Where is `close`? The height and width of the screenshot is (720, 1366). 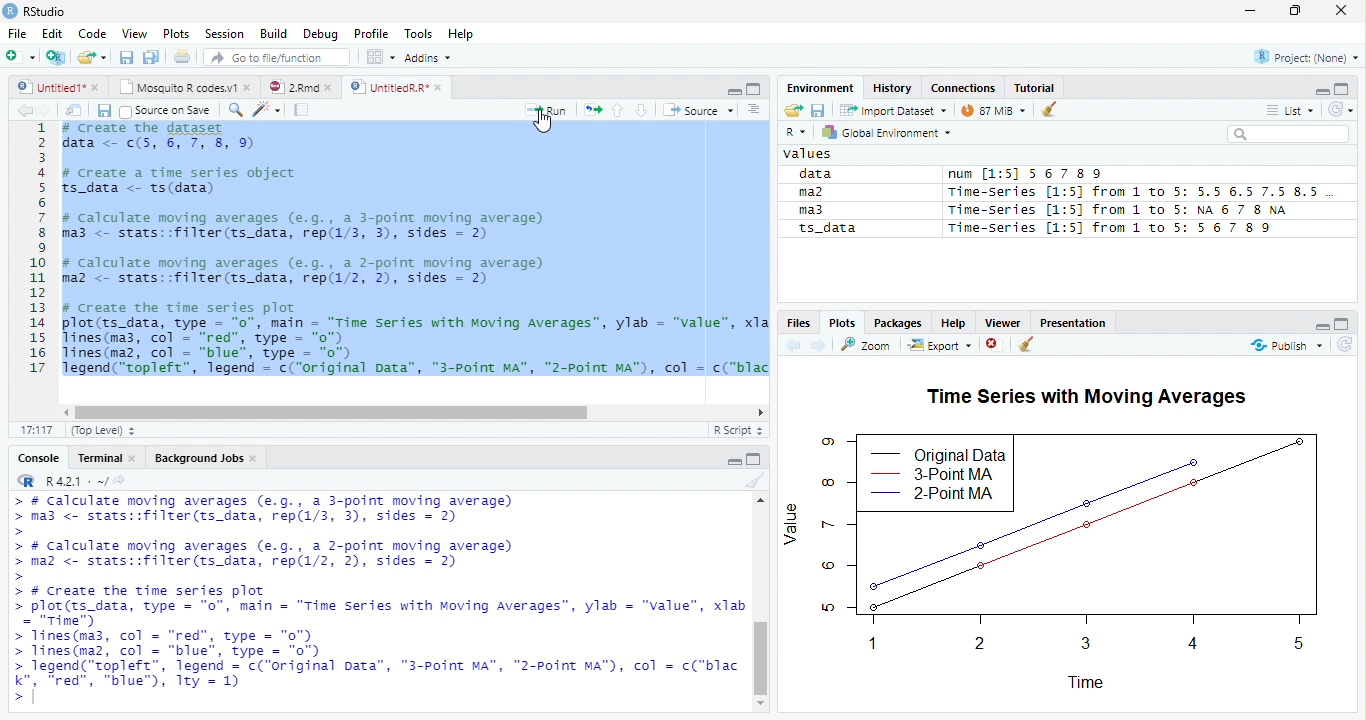 close is located at coordinates (332, 88).